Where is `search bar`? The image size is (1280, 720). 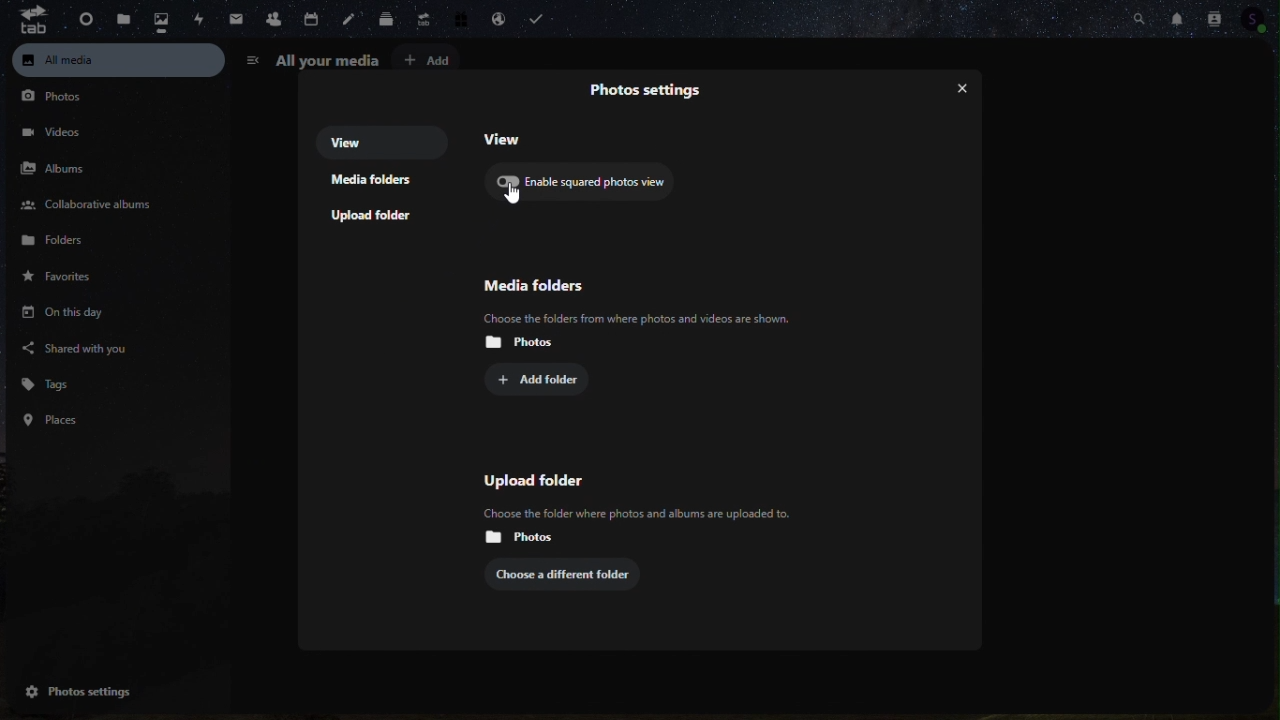 search bar is located at coordinates (1143, 19).